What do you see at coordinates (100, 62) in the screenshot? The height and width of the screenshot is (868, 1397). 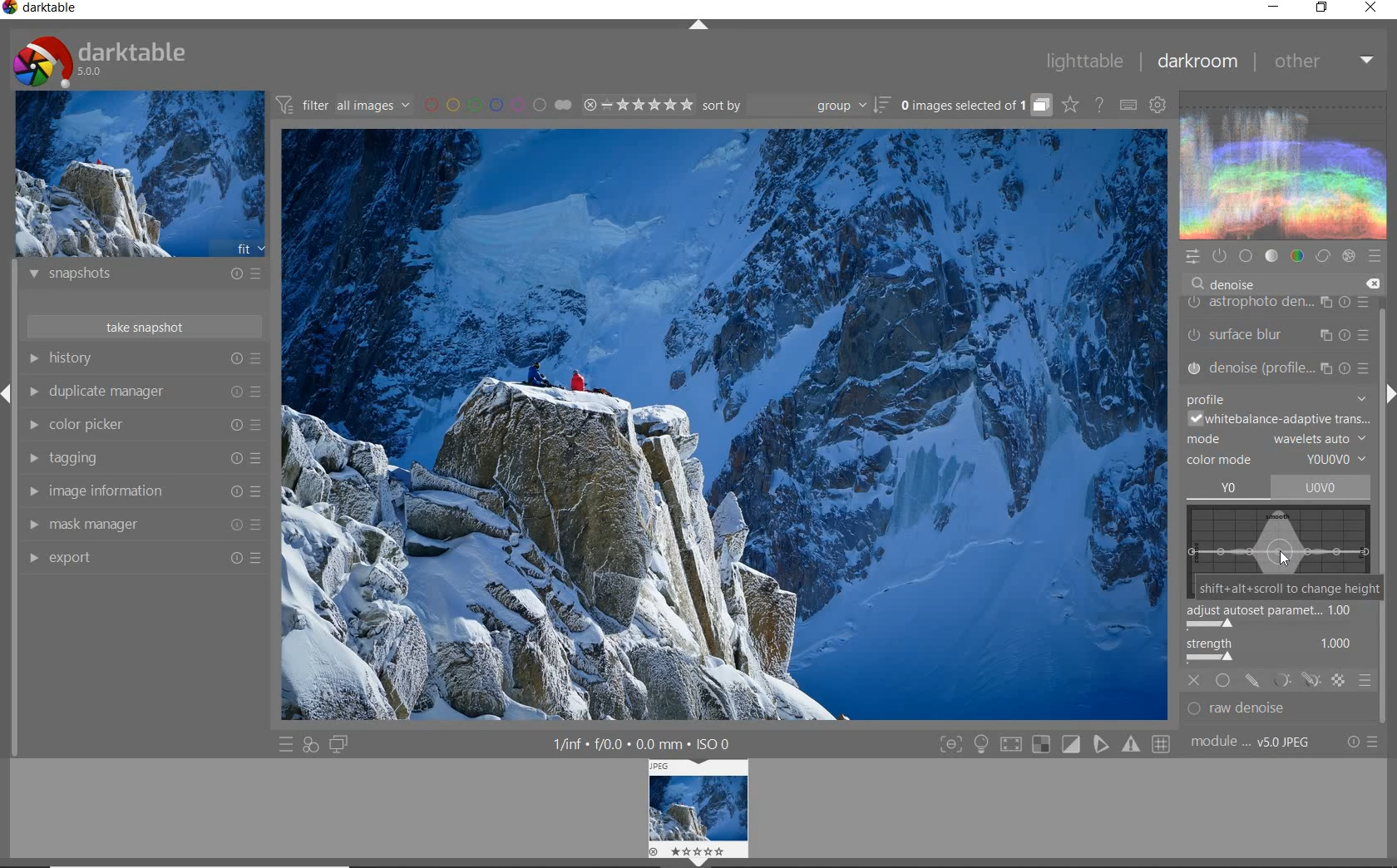 I see `Darktable 5.0.0` at bounding box center [100, 62].